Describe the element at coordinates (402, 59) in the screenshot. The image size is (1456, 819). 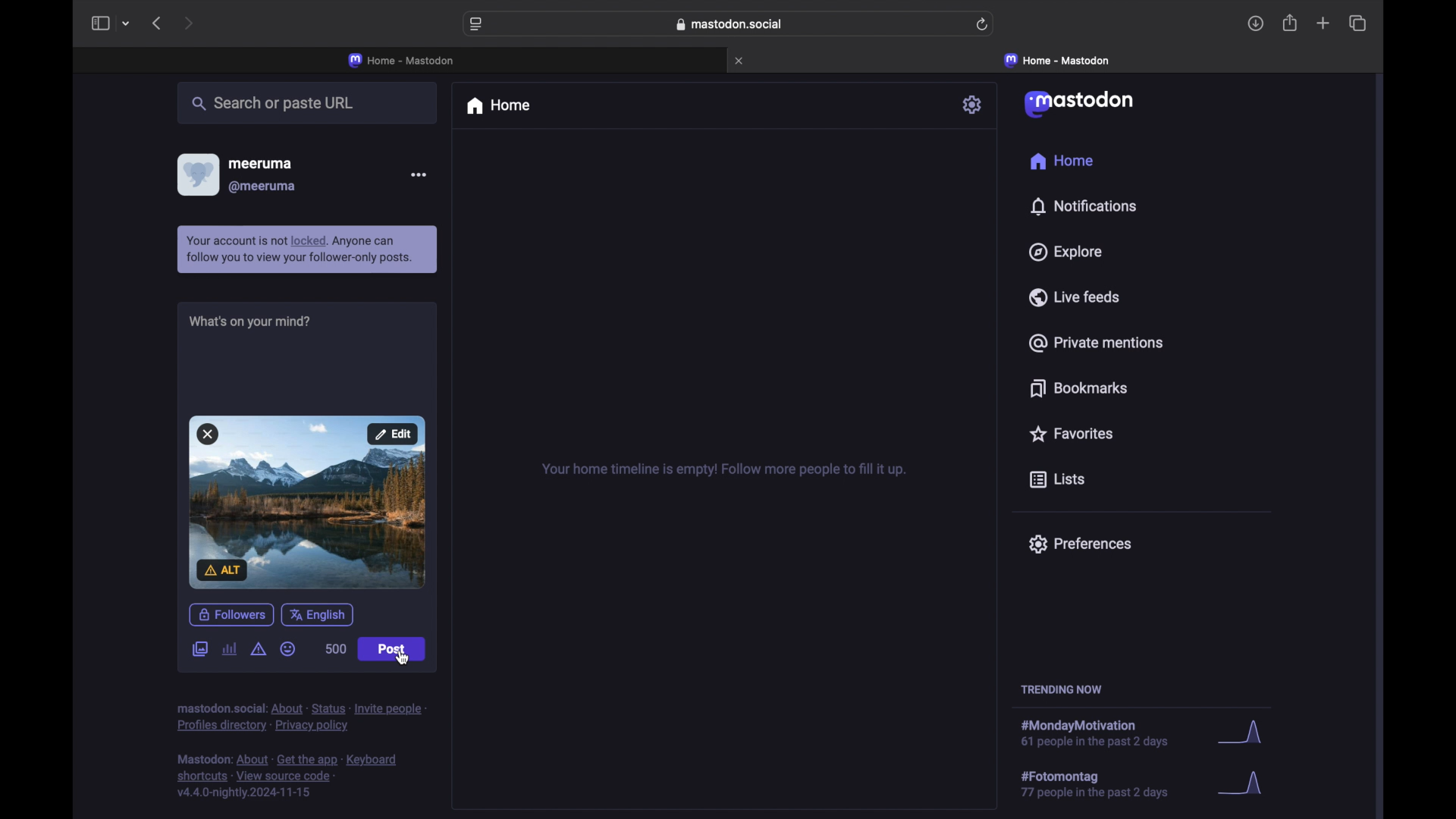
I see `home - mastodon` at that location.